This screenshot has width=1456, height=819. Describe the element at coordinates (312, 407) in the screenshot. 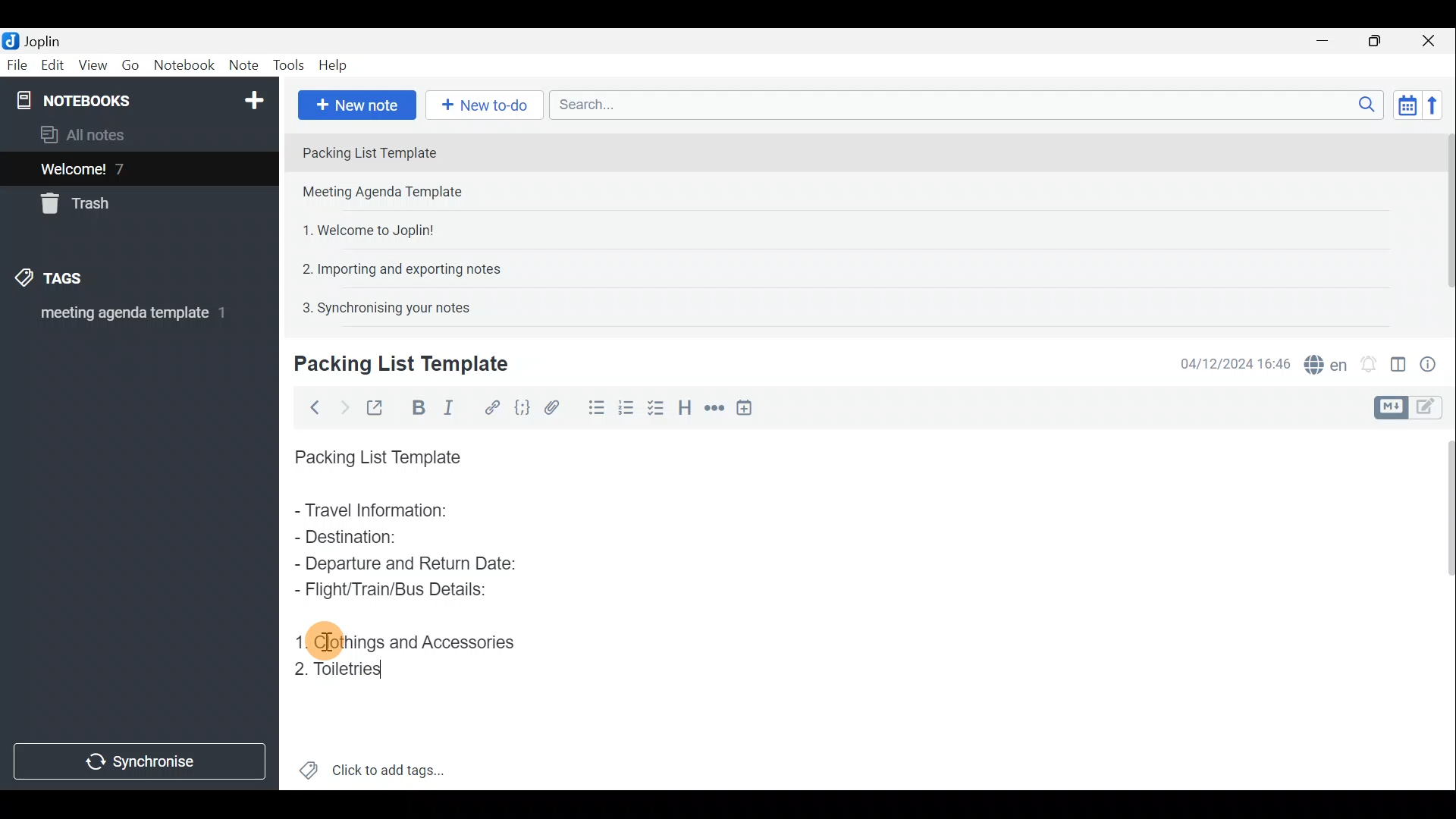

I see `Back` at that location.